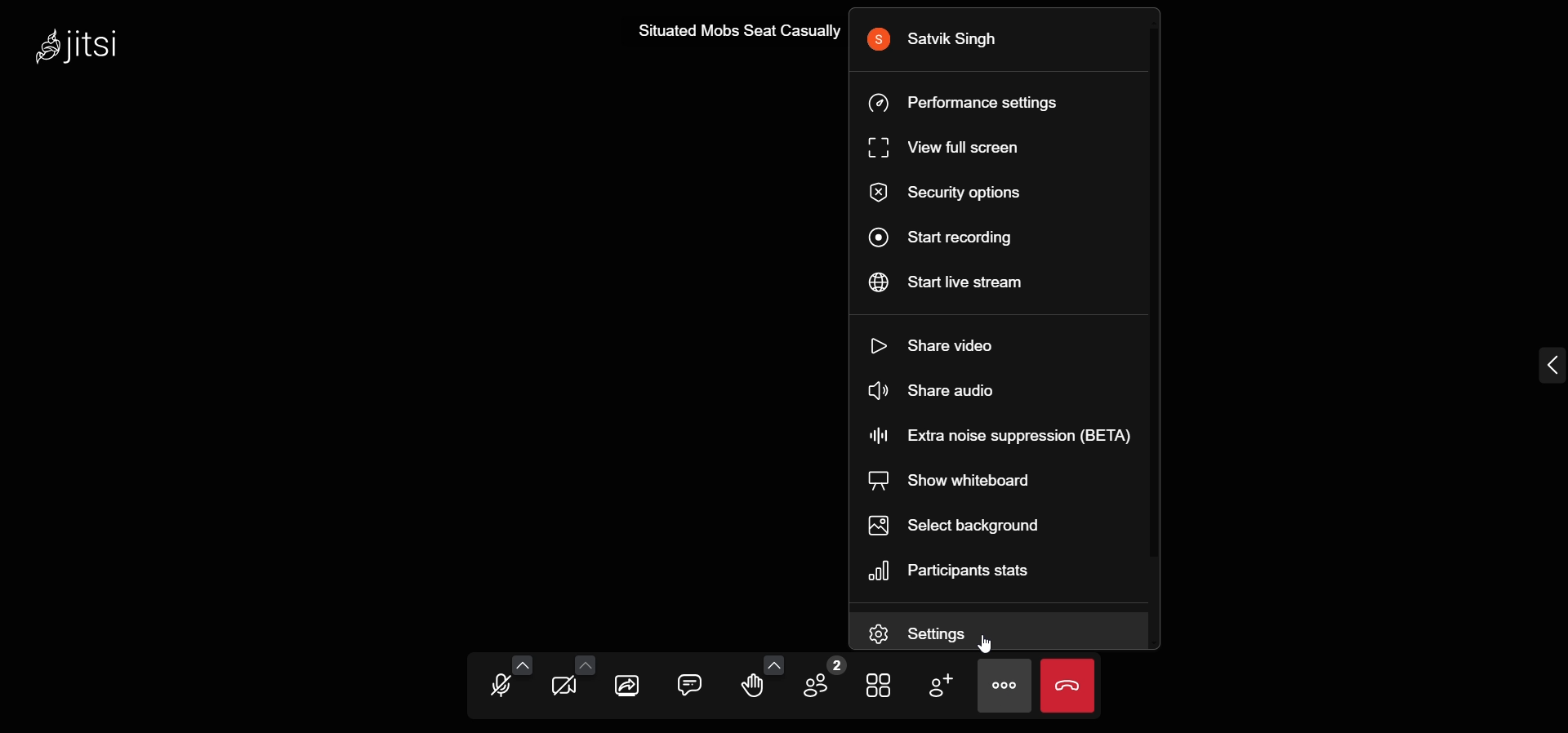 Image resolution: width=1568 pixels, height=733 pixels. What do you see at coordinates (927, 633) in the screenshot?
I see `setting` at bounding box center [927, 633].